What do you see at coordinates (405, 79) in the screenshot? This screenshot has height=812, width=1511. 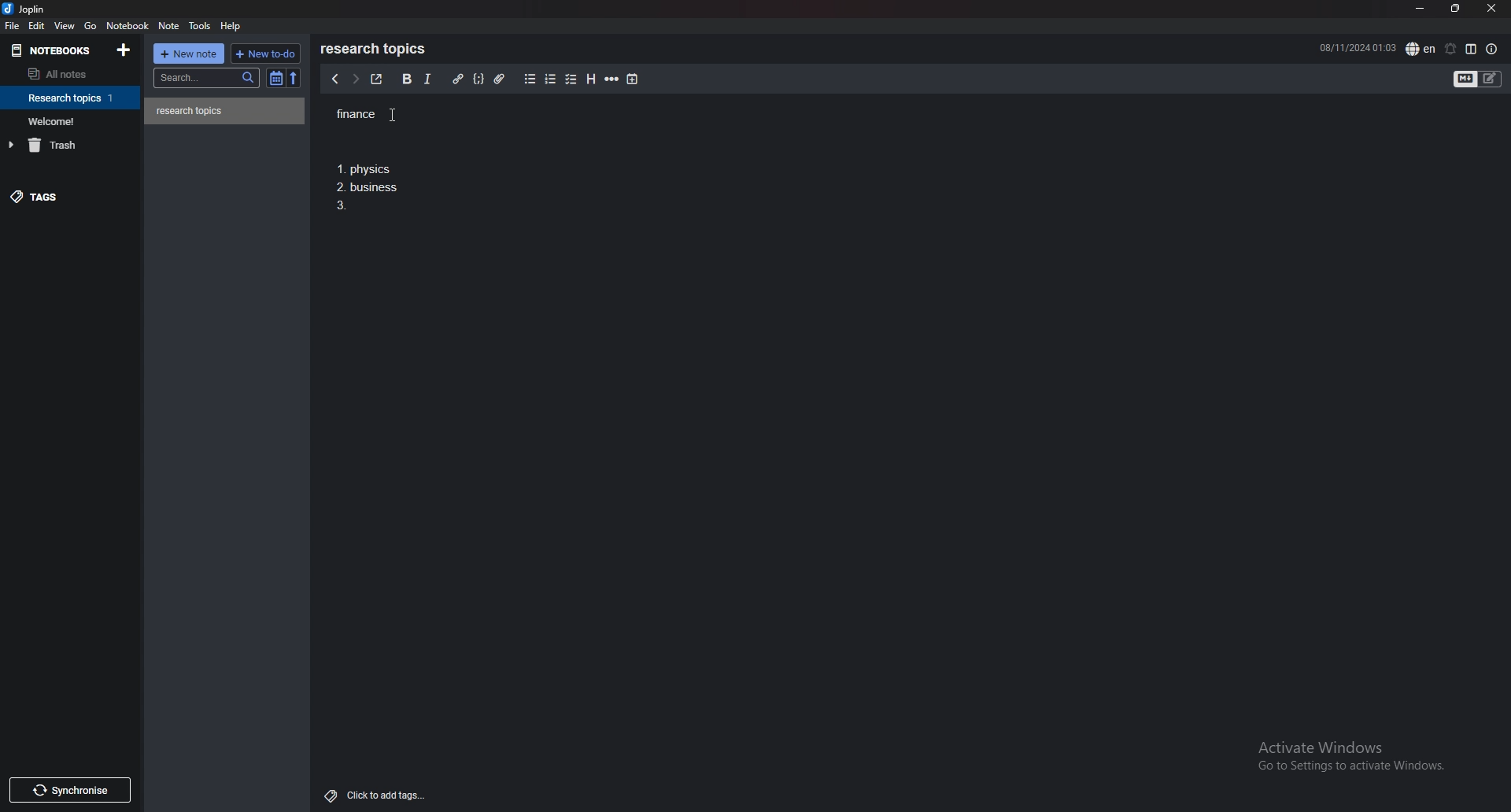 I see `bold` at bounding box center [405, 79].